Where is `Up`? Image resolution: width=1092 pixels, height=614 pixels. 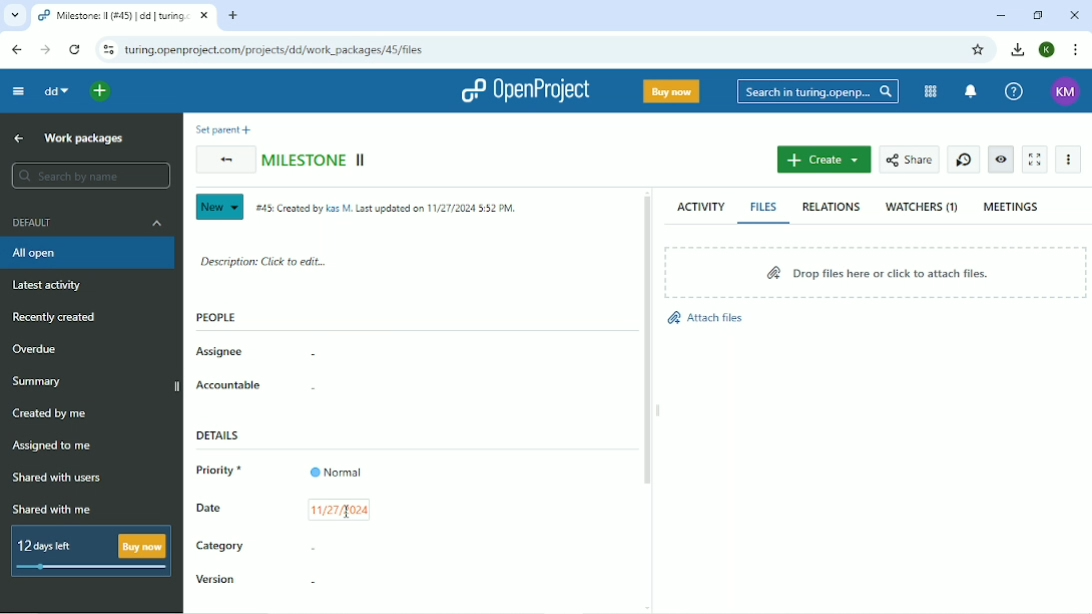
Up is located at coordinates (20, 138).